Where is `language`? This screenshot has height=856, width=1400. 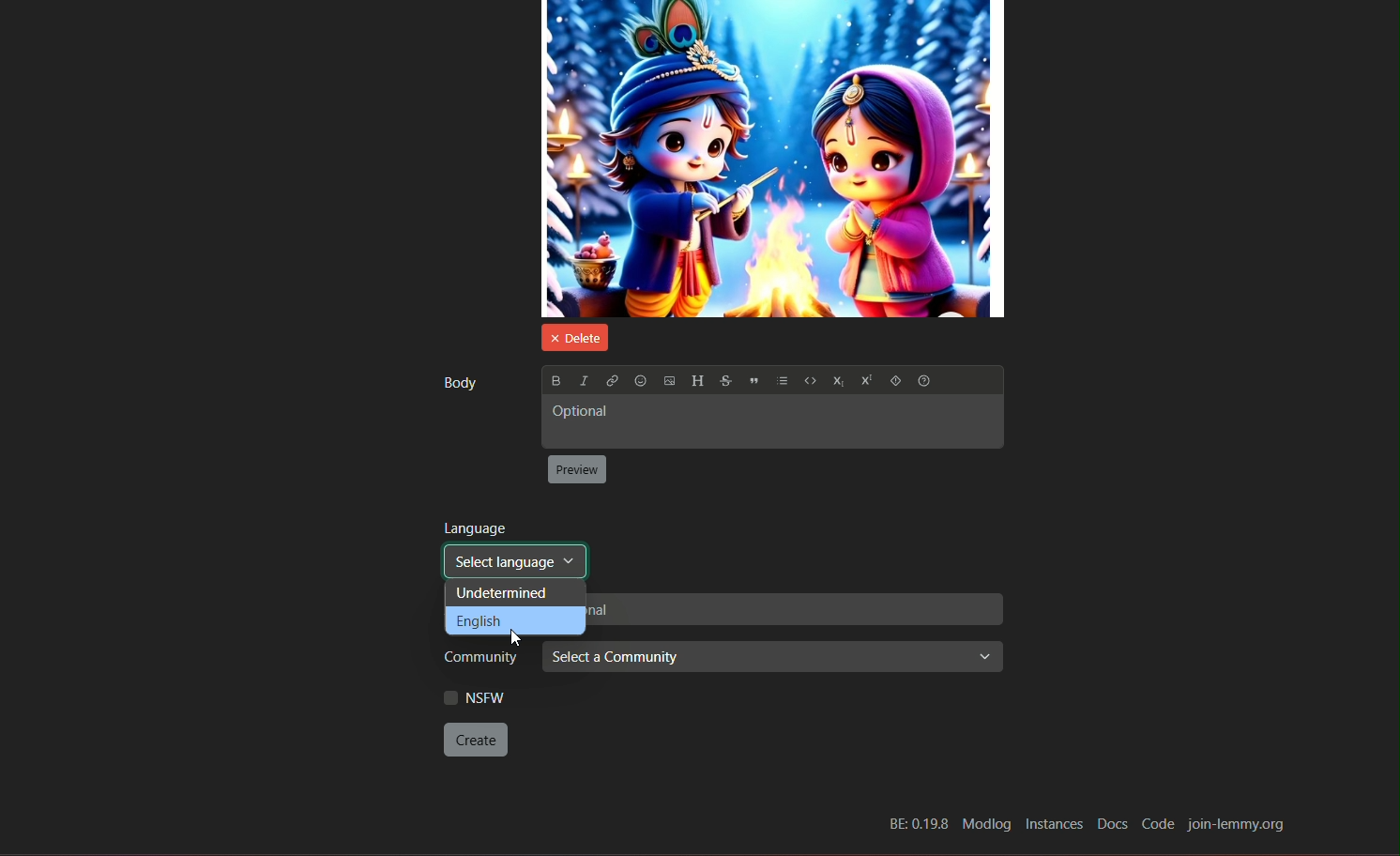
language is located at coordinates (476, 527).